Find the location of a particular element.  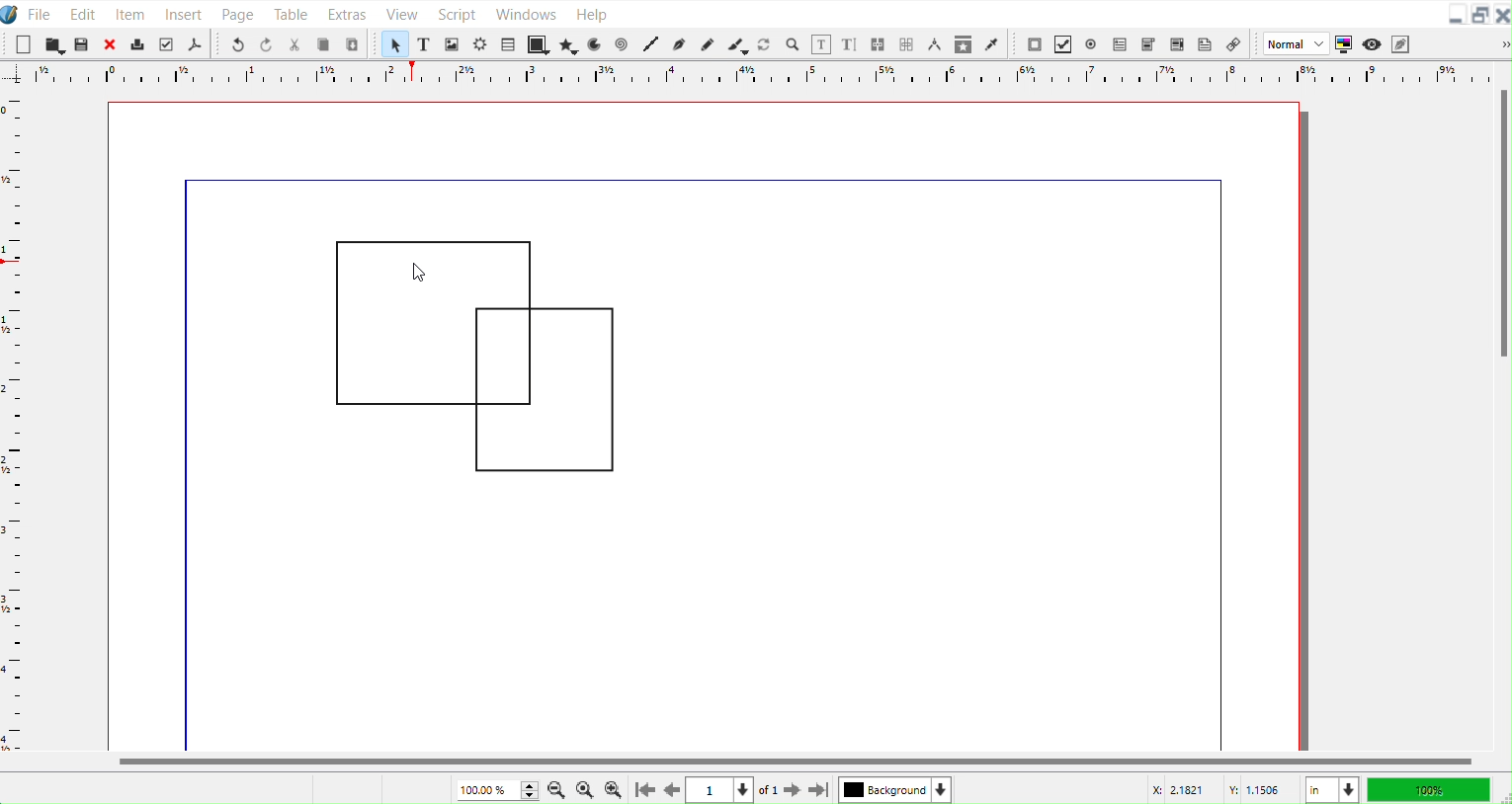

of 1 is located at coordinates (768, 791).